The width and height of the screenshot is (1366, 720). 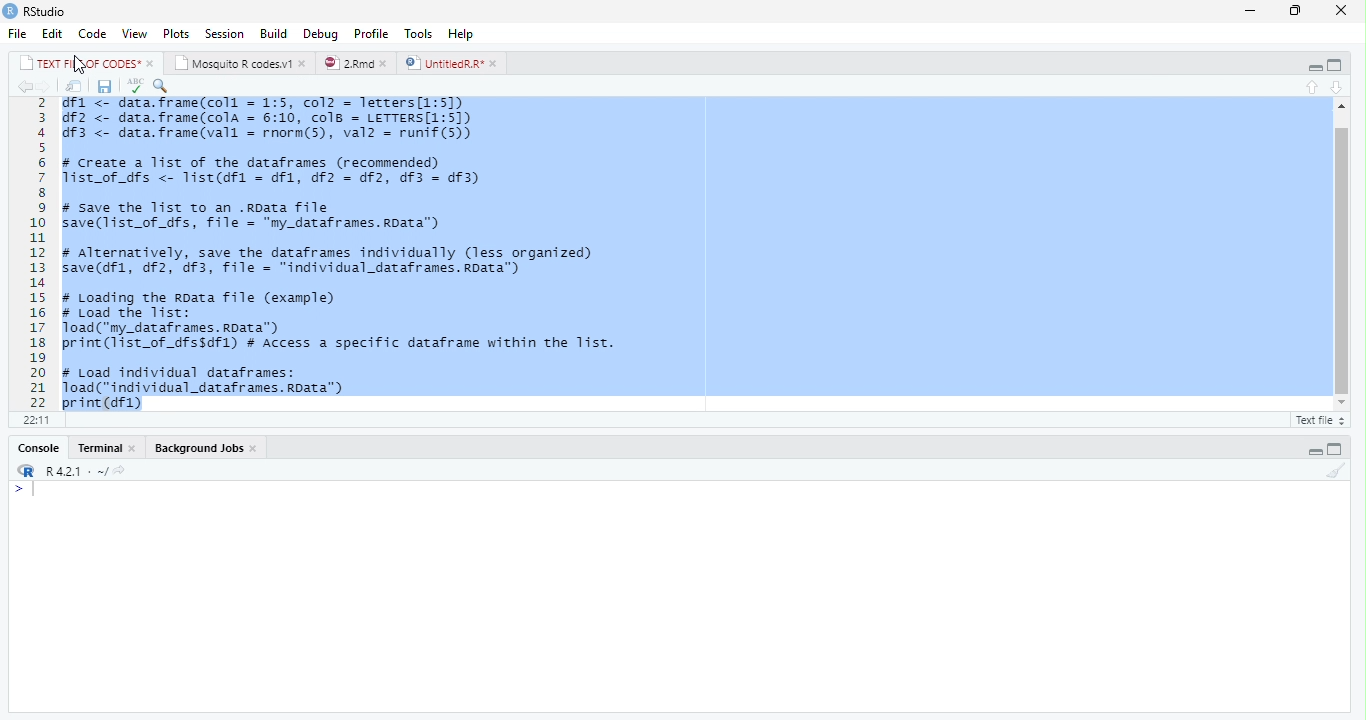 What do you see at coordinates (1314, 87) in the screenshot?
I see `Go to previous section` at bounding box center [1314, 87].